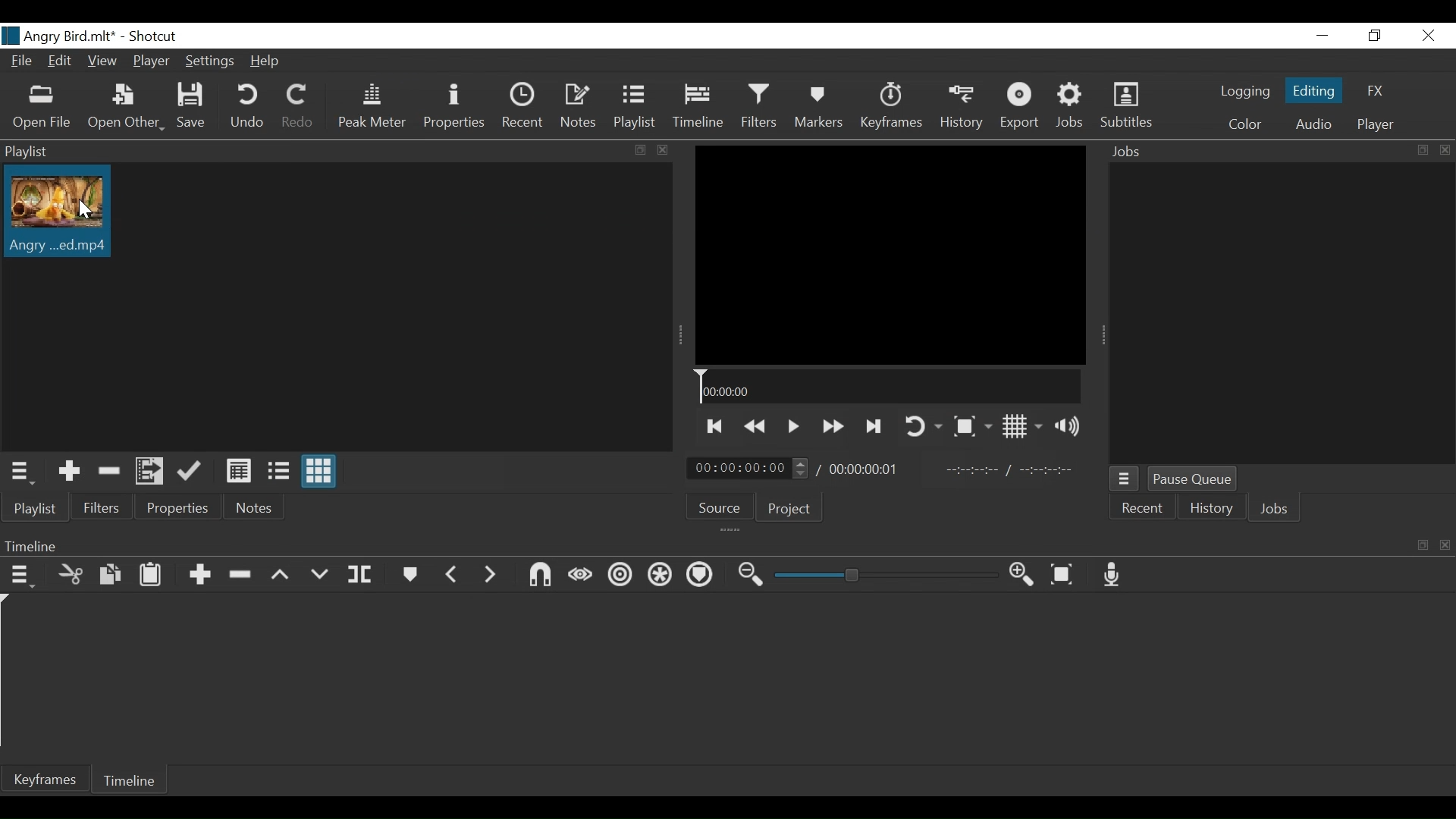 The height and width of the screenshot is (819, 1456). I want to click on Save, so click(190, 106).